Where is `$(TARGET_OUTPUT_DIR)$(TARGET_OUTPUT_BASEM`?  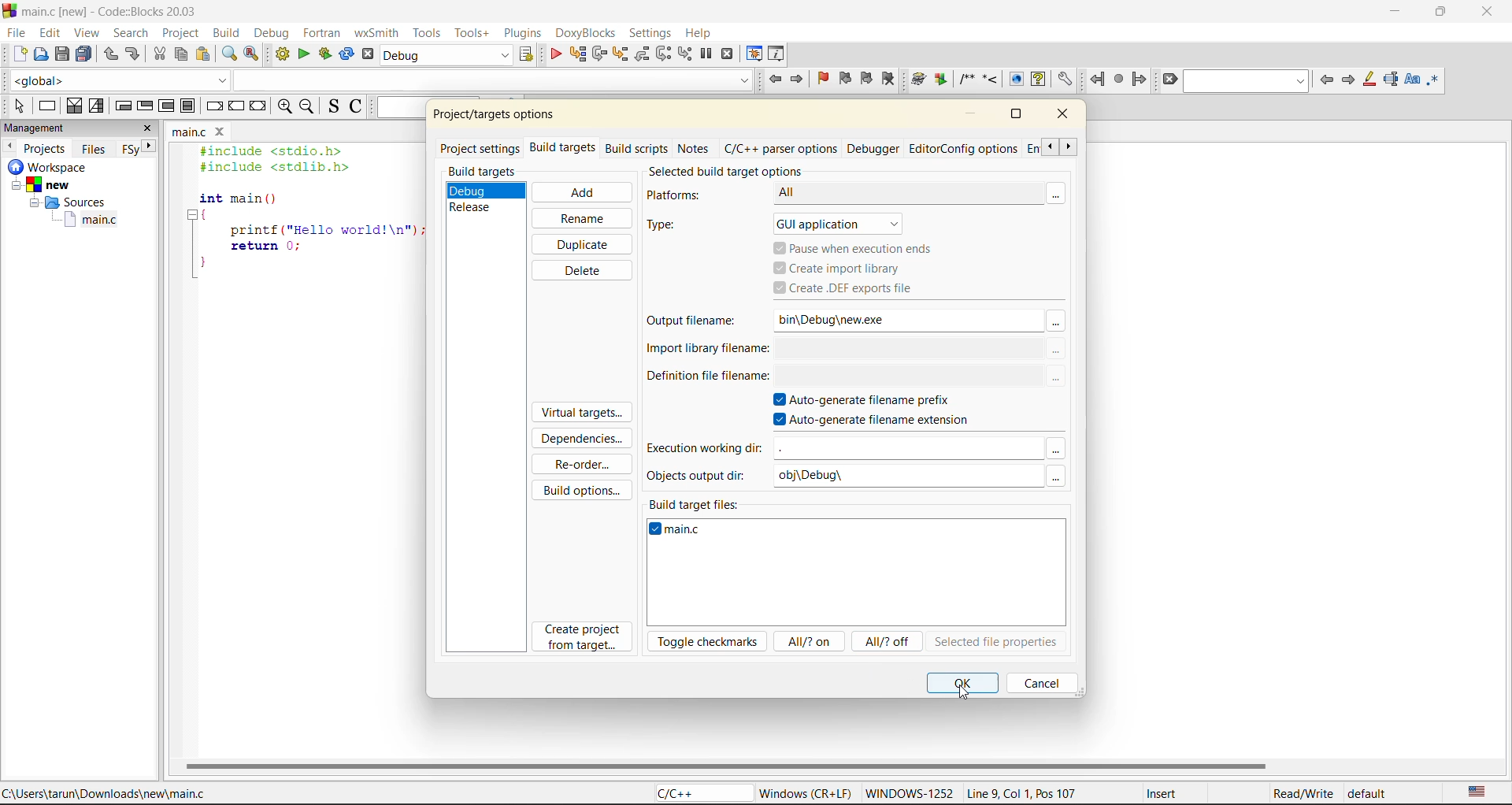
$(TARGET_OUTPUT_DIR)$(TARGET_OUTPUT_BASEM is located at coordinates (920, 346).